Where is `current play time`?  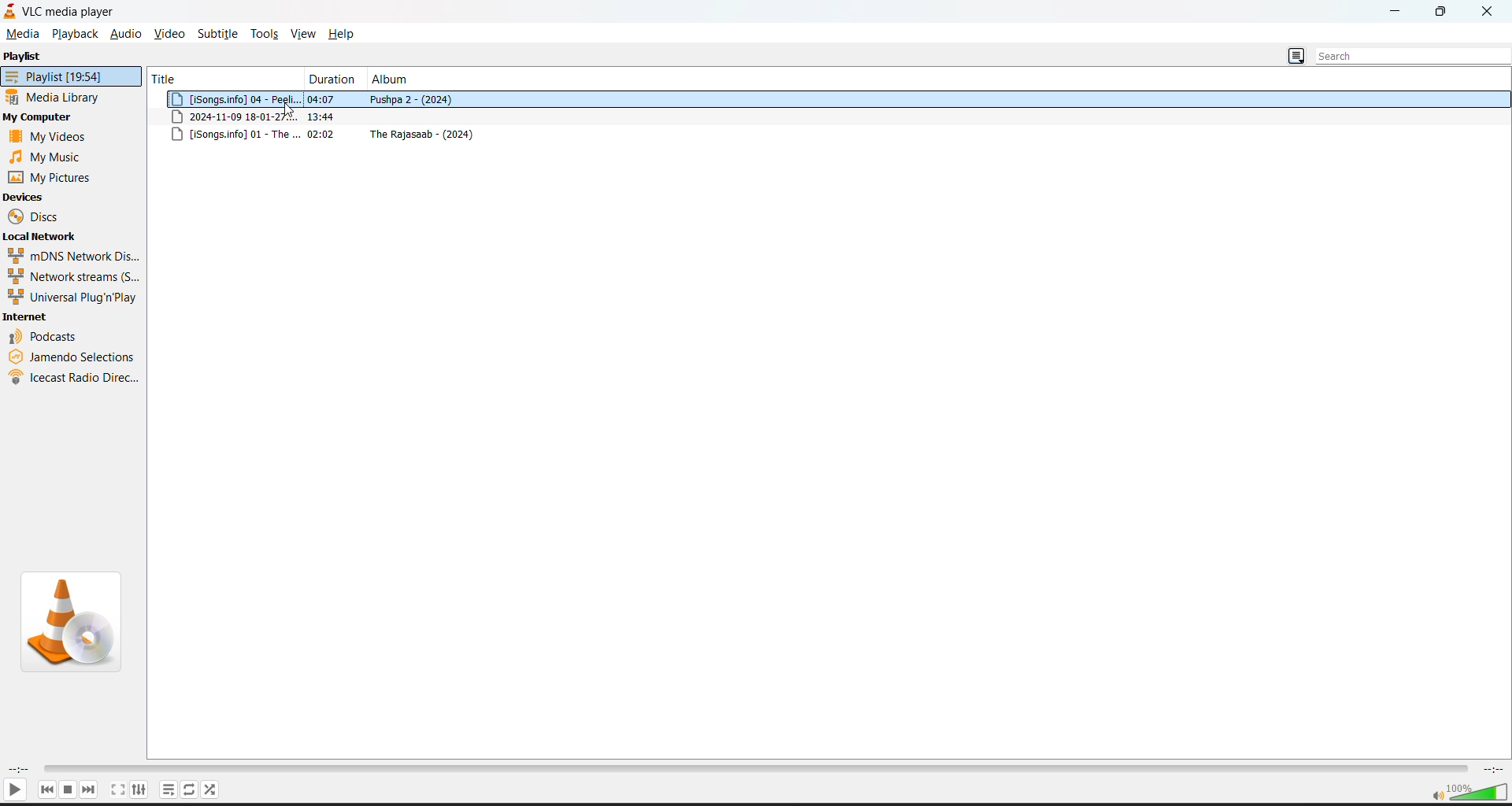
current play time is located at coordinates (20, 770).